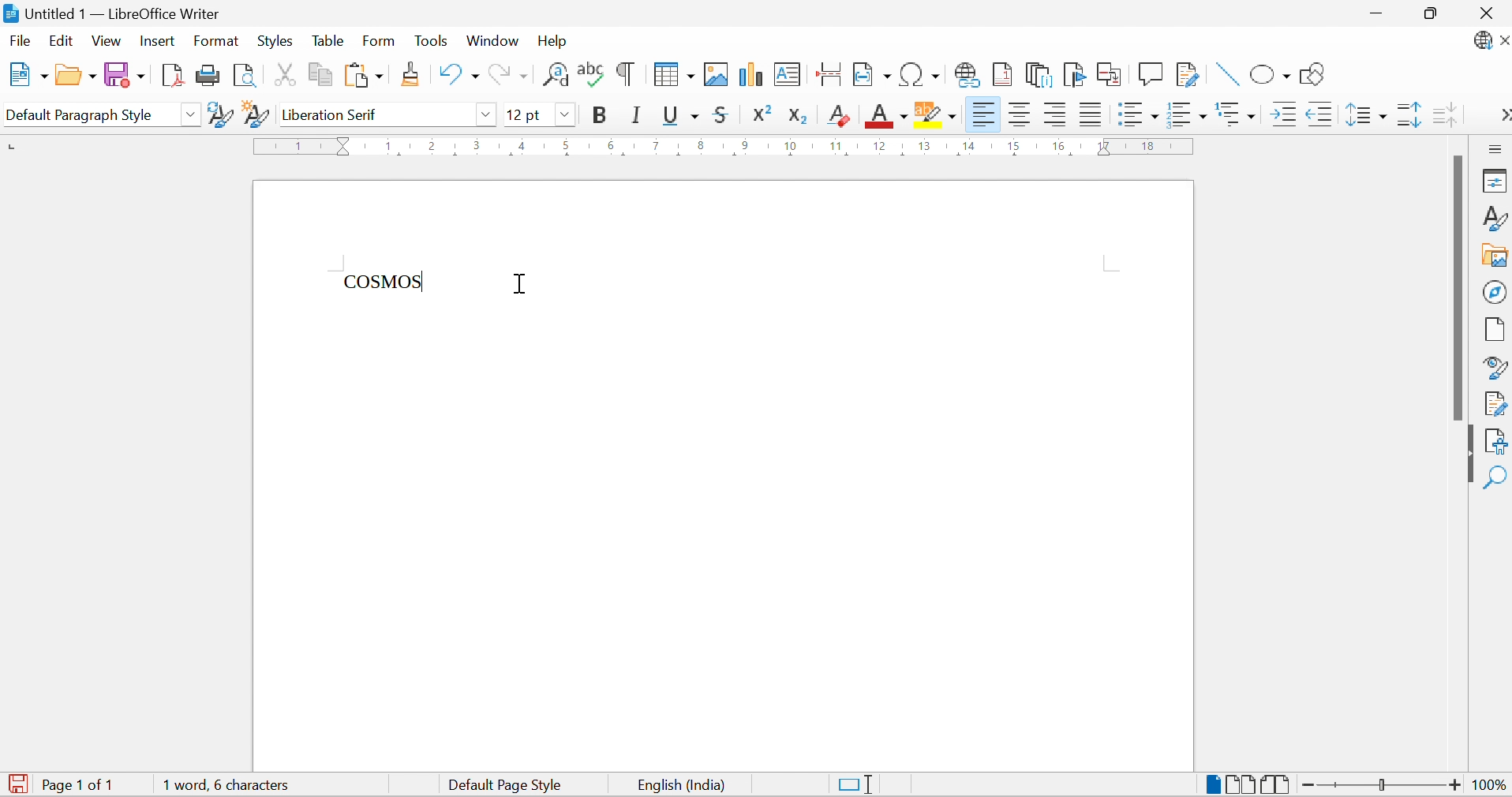 This screenshot has height=797, width=1512. I want to click on Untitled 1 - LibreOffice Writer, so click(114, 13).